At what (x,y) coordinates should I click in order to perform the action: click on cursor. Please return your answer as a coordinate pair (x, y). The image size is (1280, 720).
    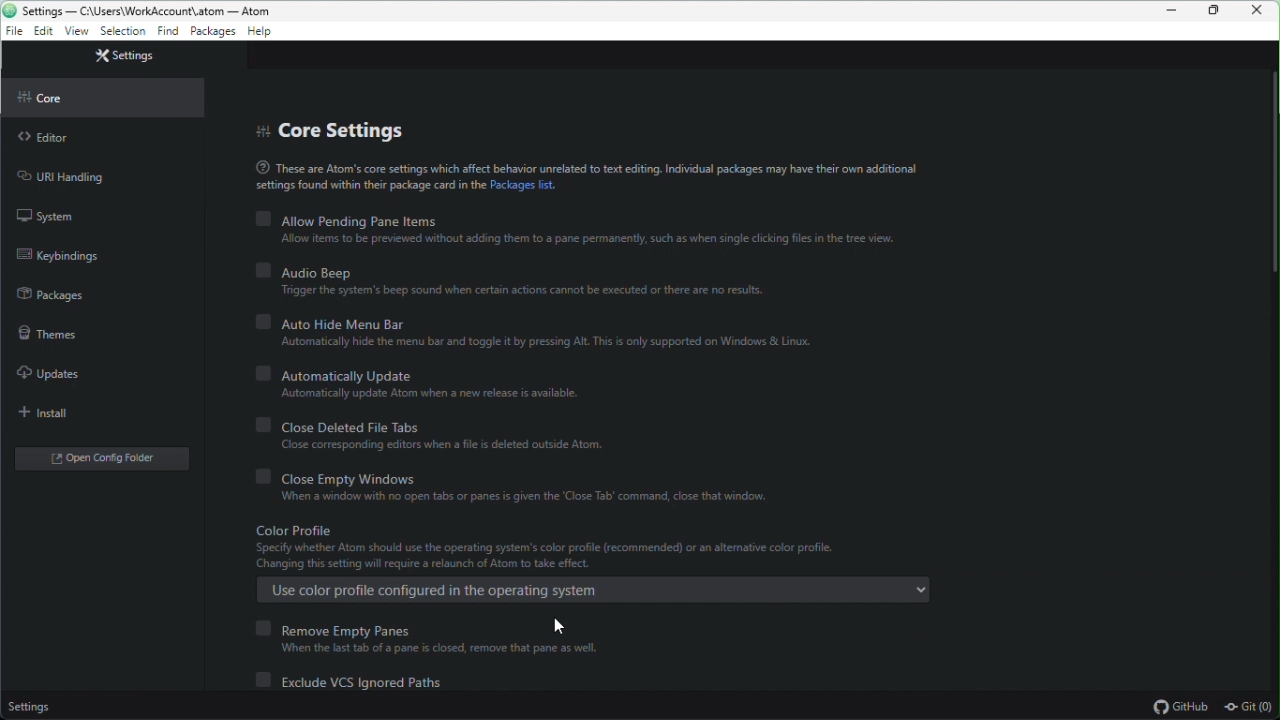
    Looking at the image, I should click on (562, 629).